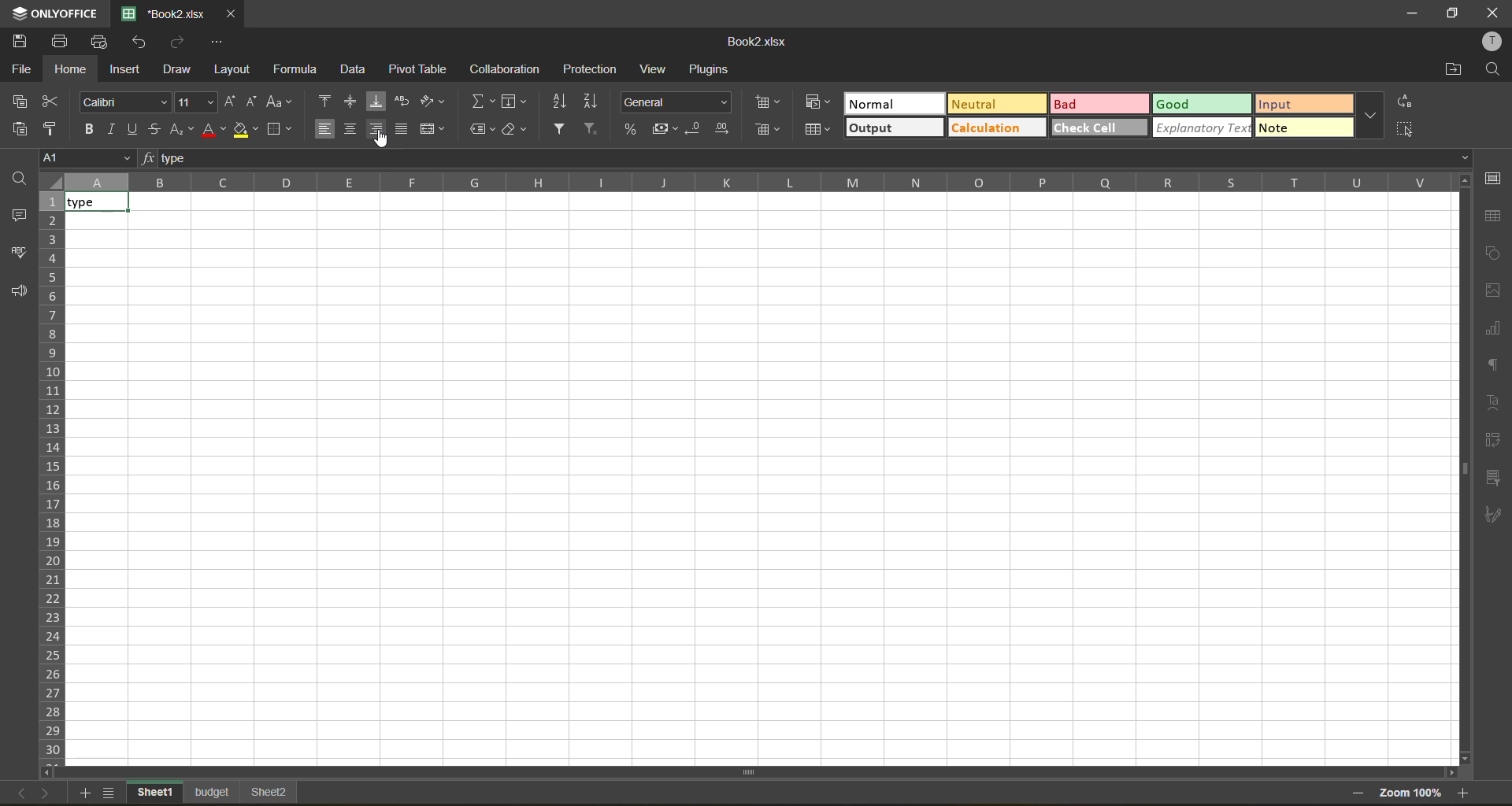  Describe the element at coordinates (433, 104) in the screenshot. I see `orientation` at that location.